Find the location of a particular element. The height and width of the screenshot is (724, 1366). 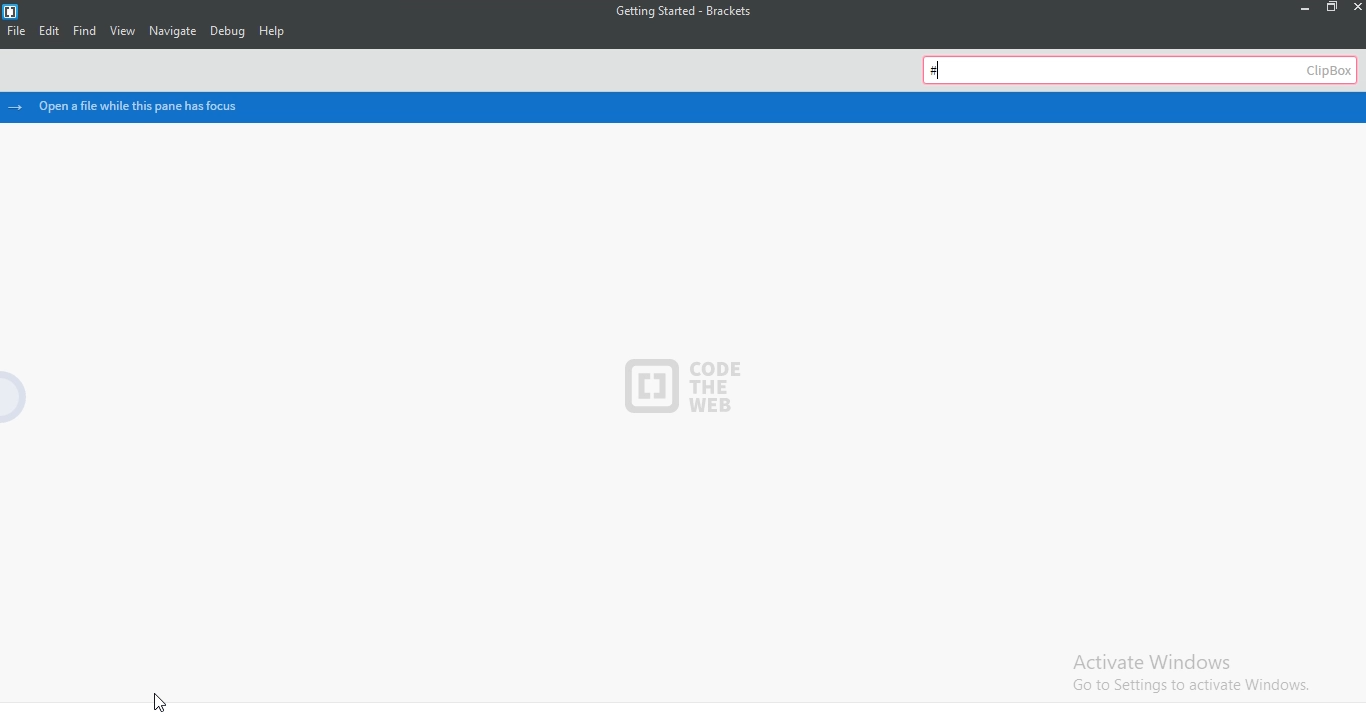

restore is located at coordinates (1334, 8).